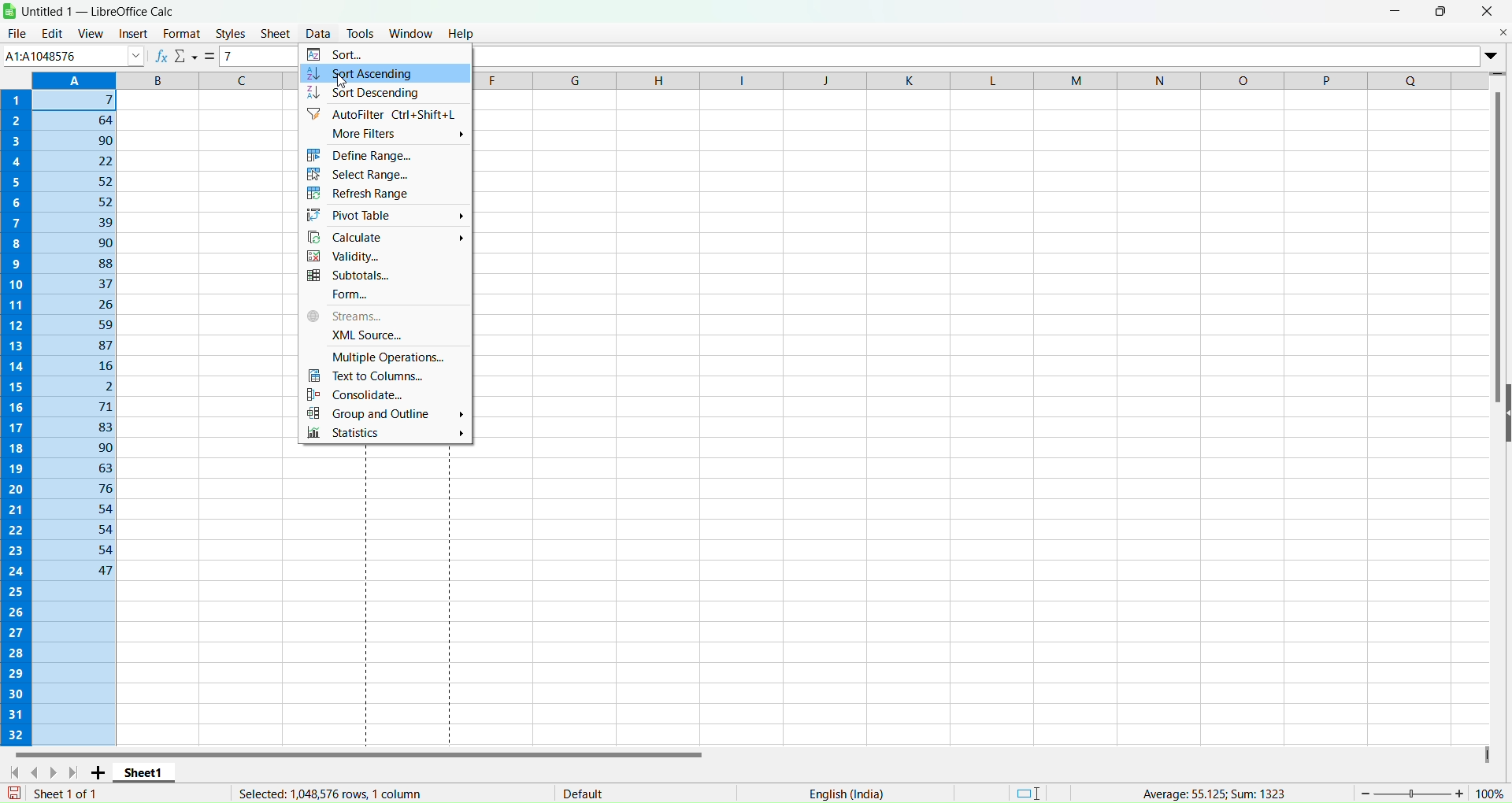 Image resolution: width=1512 pixels, height=803 pixels. Describe the element at coordinates (11, 10) in the screenshot. I see `Logo` at that location.